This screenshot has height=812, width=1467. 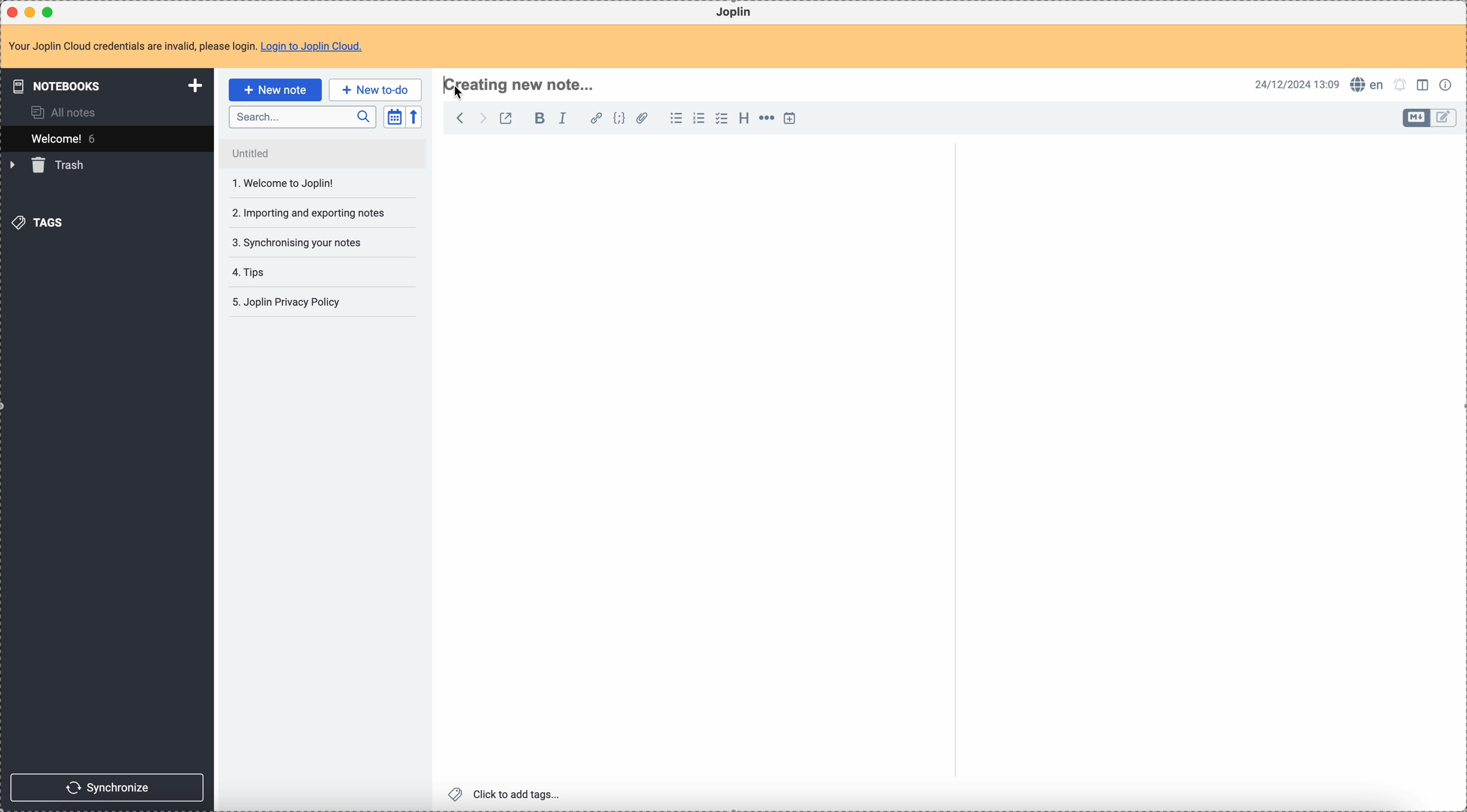 I want to click on numbered list, so click(x=700, y=118).